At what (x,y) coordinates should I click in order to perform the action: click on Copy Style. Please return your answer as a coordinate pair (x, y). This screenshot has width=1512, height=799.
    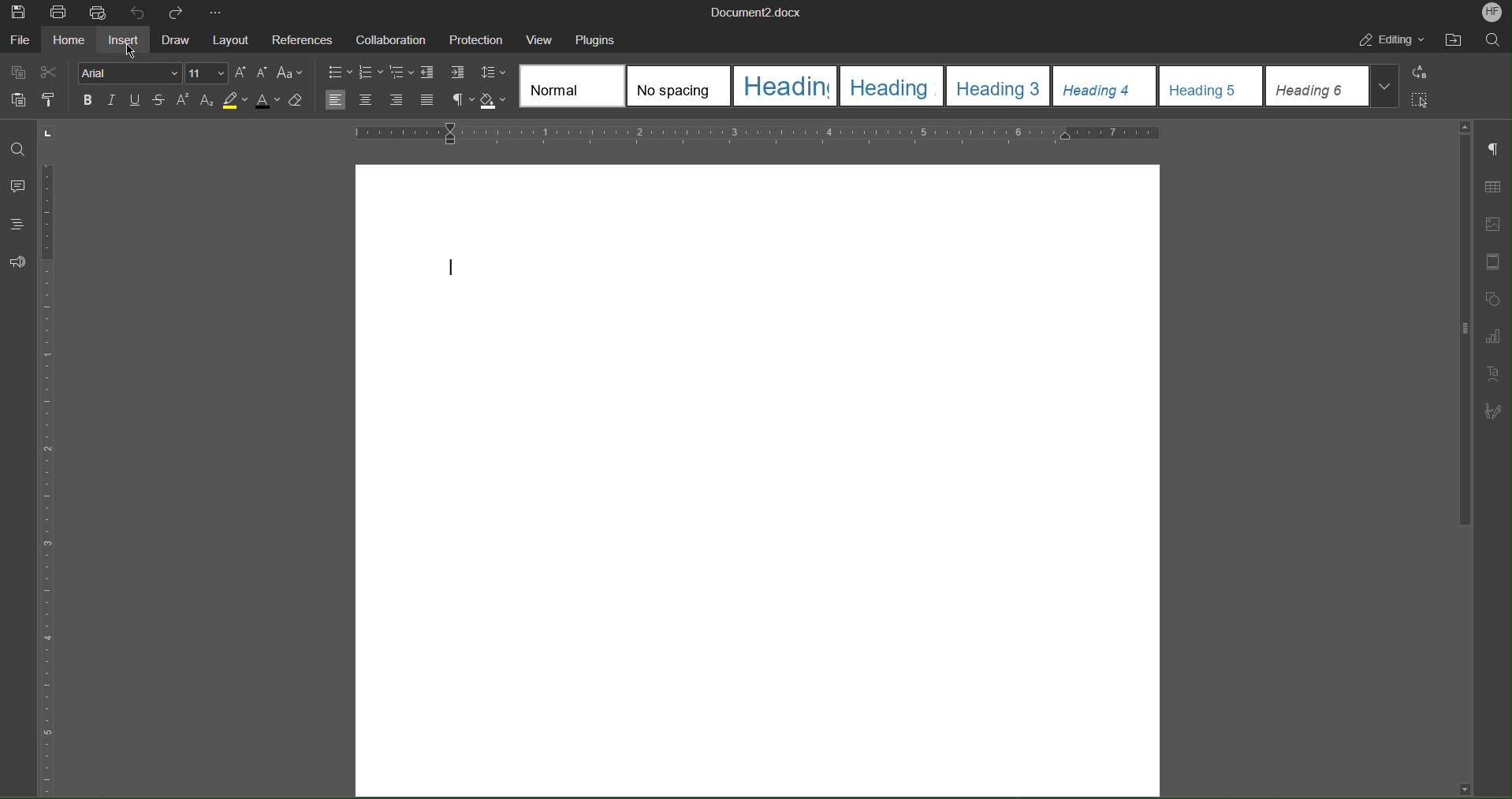
    Looking at the image, I should click on (54, 100).